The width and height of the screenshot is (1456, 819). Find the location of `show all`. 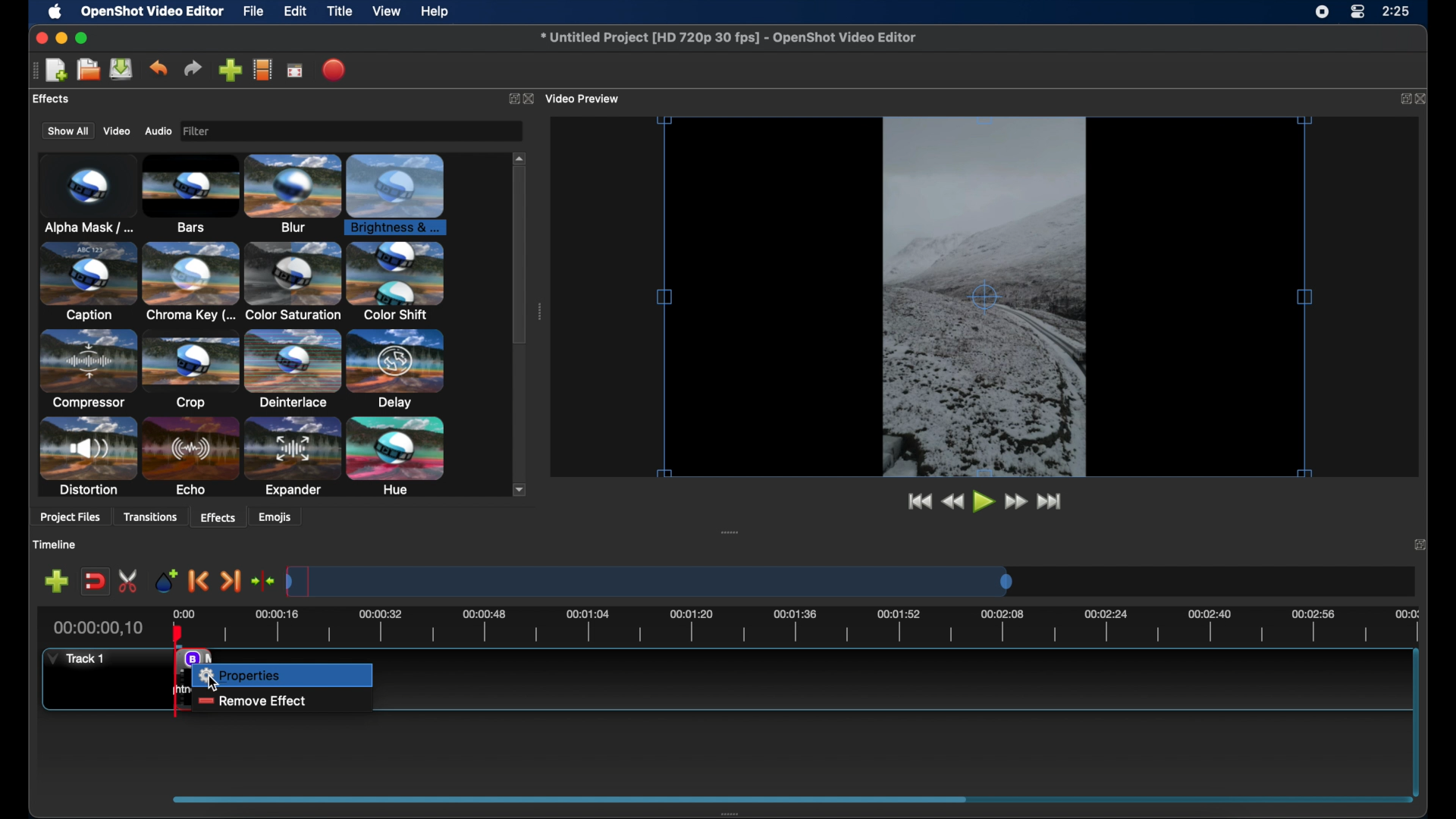

show all is located at coordinates (67, 130).